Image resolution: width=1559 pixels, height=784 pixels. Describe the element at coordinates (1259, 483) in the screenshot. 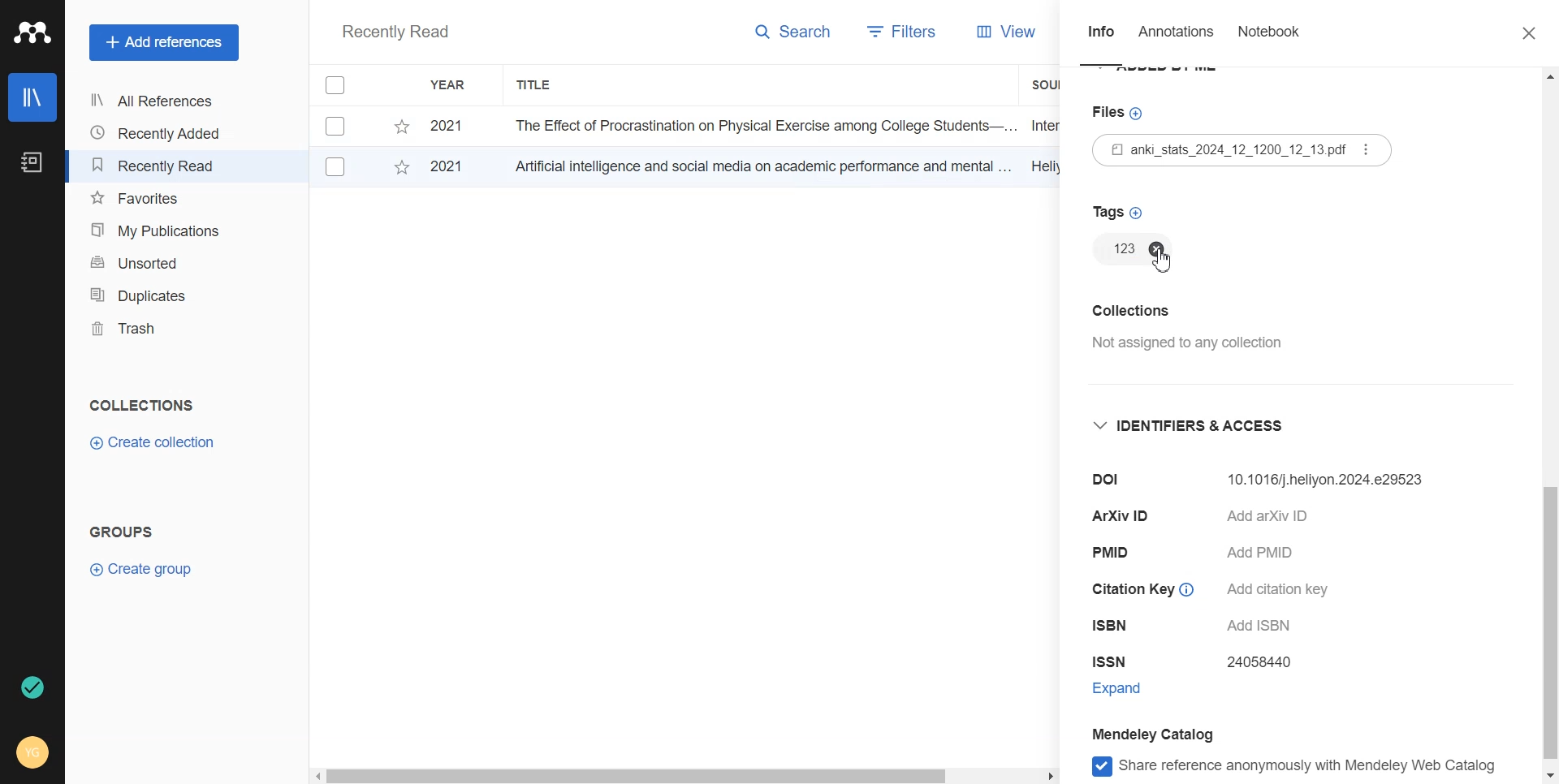

I see `Dol 10.32604/ijmhp.2024.052730` at that location.